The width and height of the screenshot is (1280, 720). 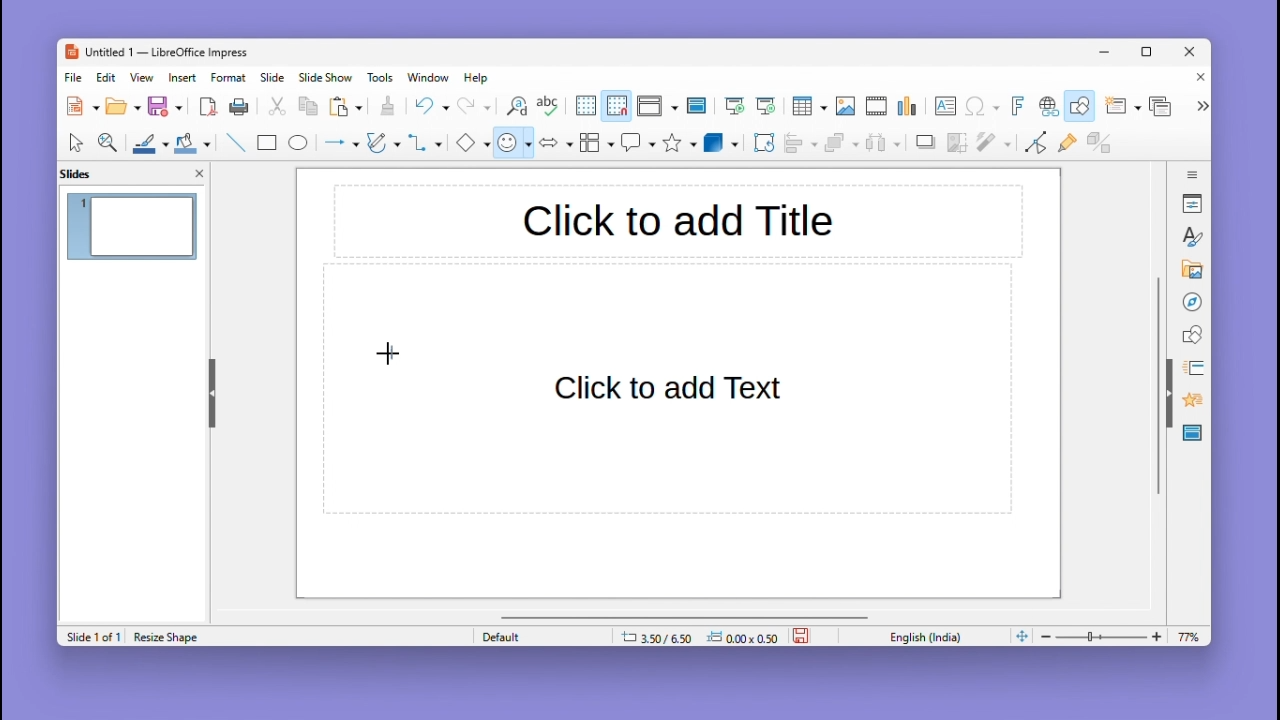 What do you see at coordinates (809, 107) in the screenshot?
I see `Table` at bounding box center [809, 107].